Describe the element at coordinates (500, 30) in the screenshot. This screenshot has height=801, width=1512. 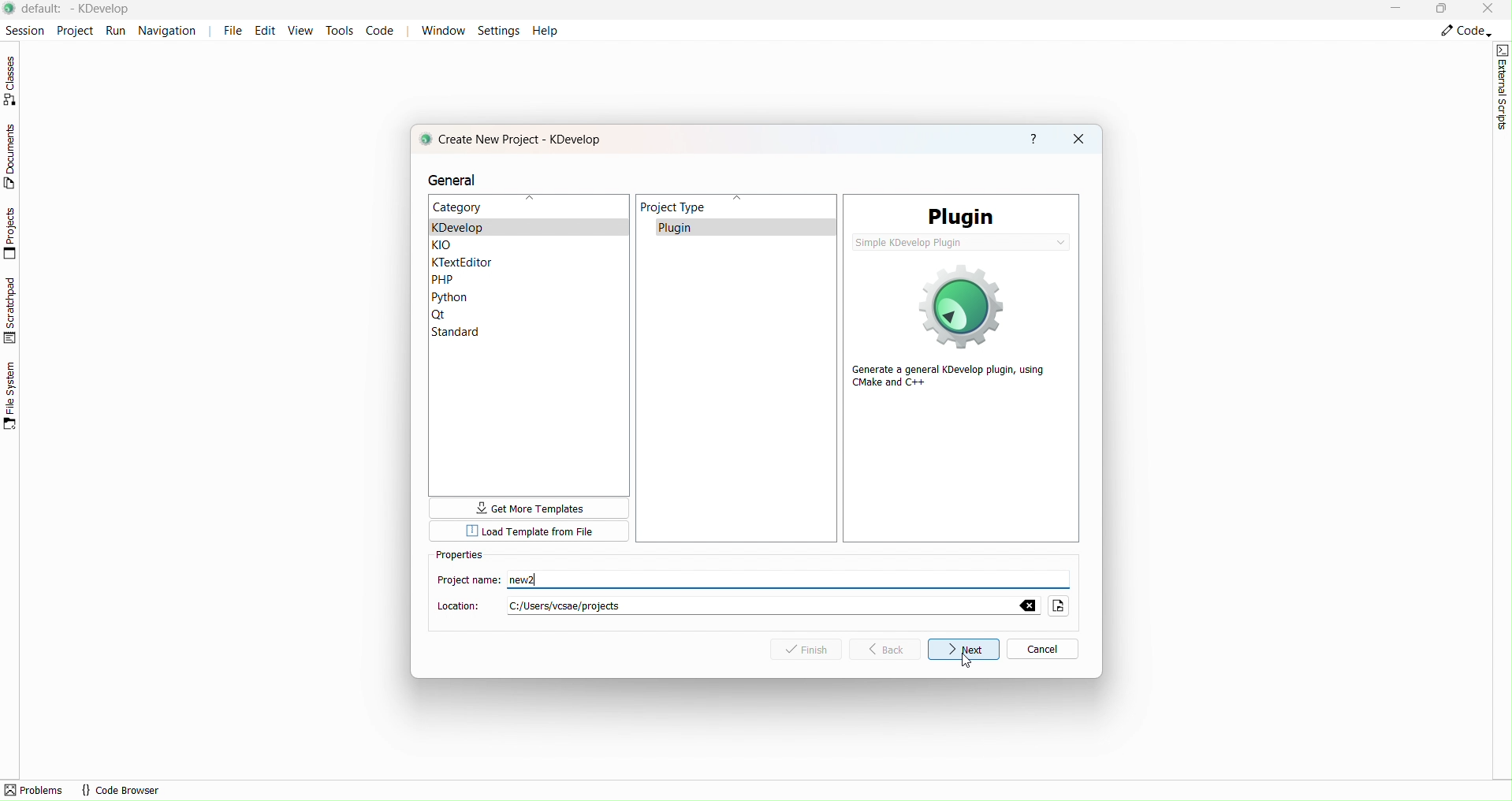
I see `Settings` at that location.